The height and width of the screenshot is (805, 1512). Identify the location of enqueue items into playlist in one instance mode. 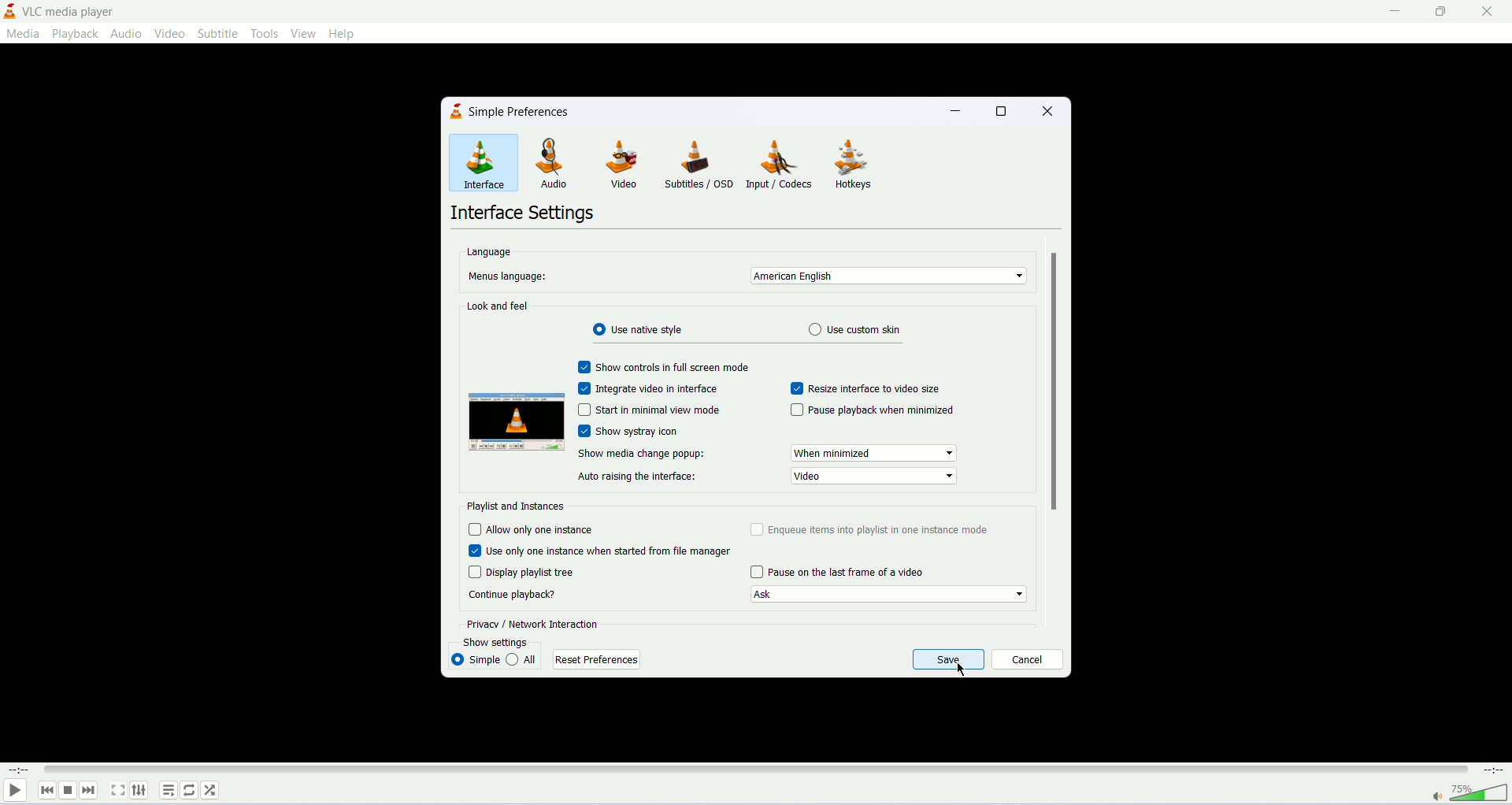
(871, 529).